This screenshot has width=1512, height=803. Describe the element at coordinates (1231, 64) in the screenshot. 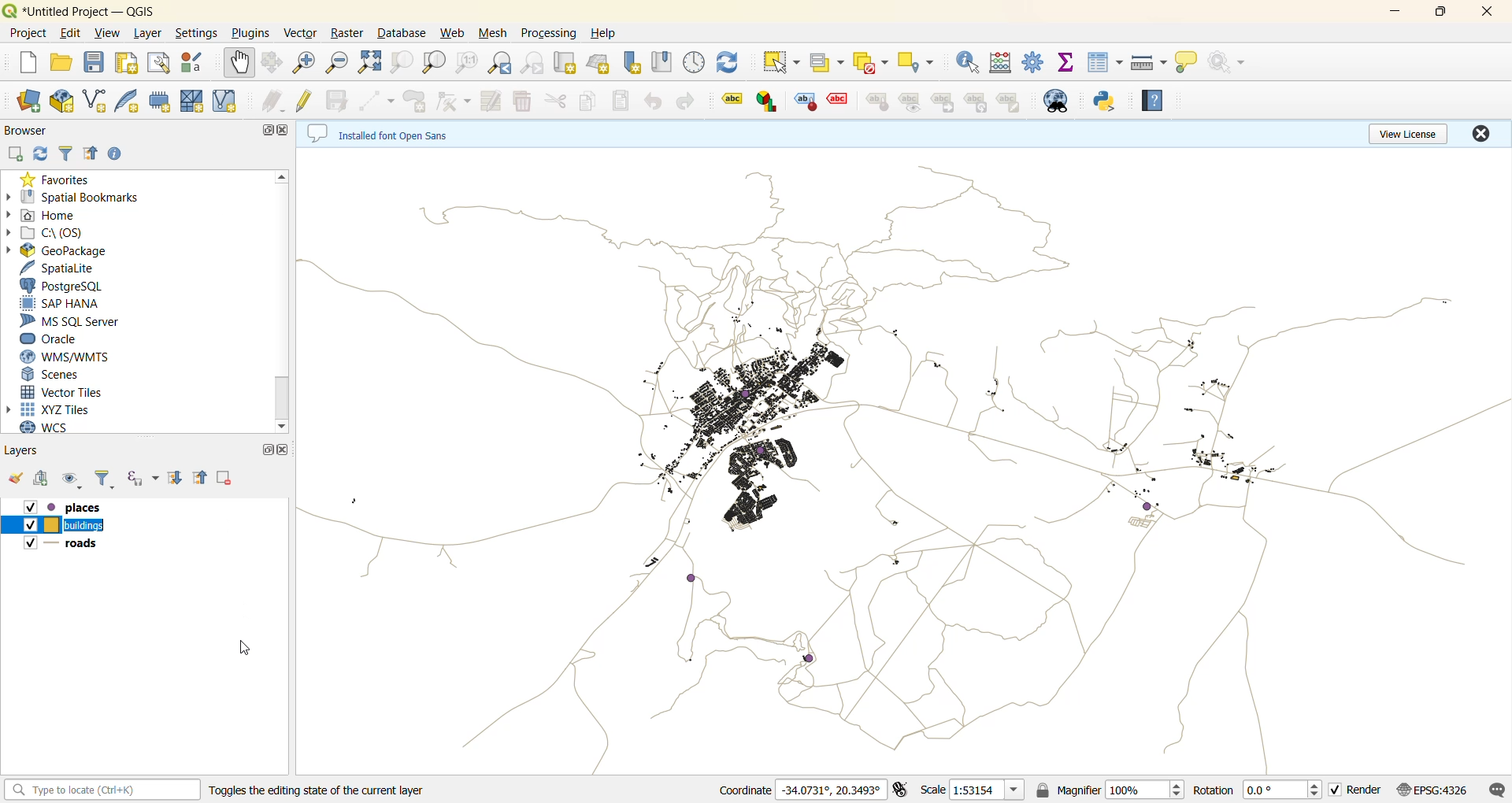

I see `no action` at that location.